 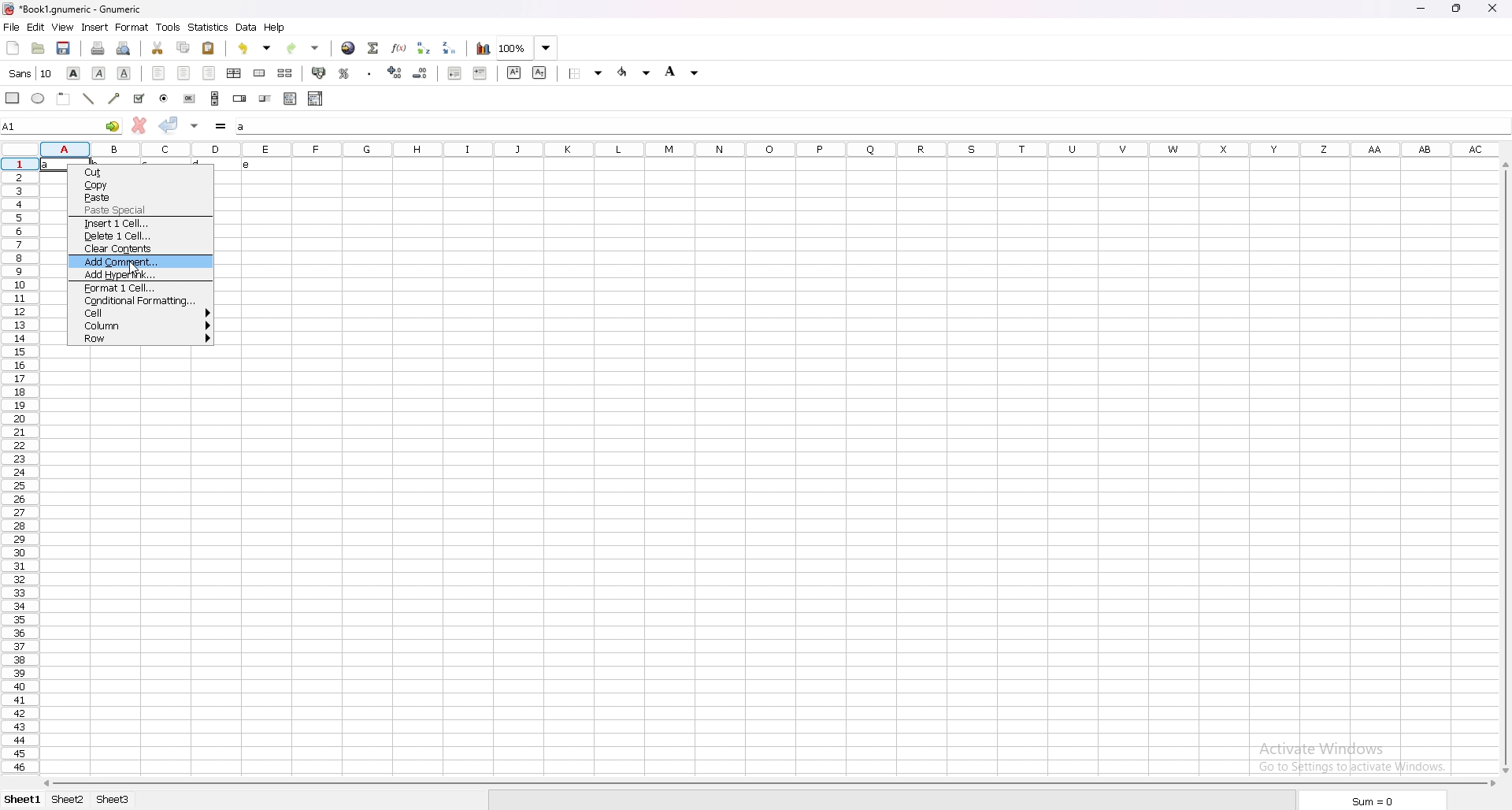 I want to click on merge cells, so click(x=259, y=72).